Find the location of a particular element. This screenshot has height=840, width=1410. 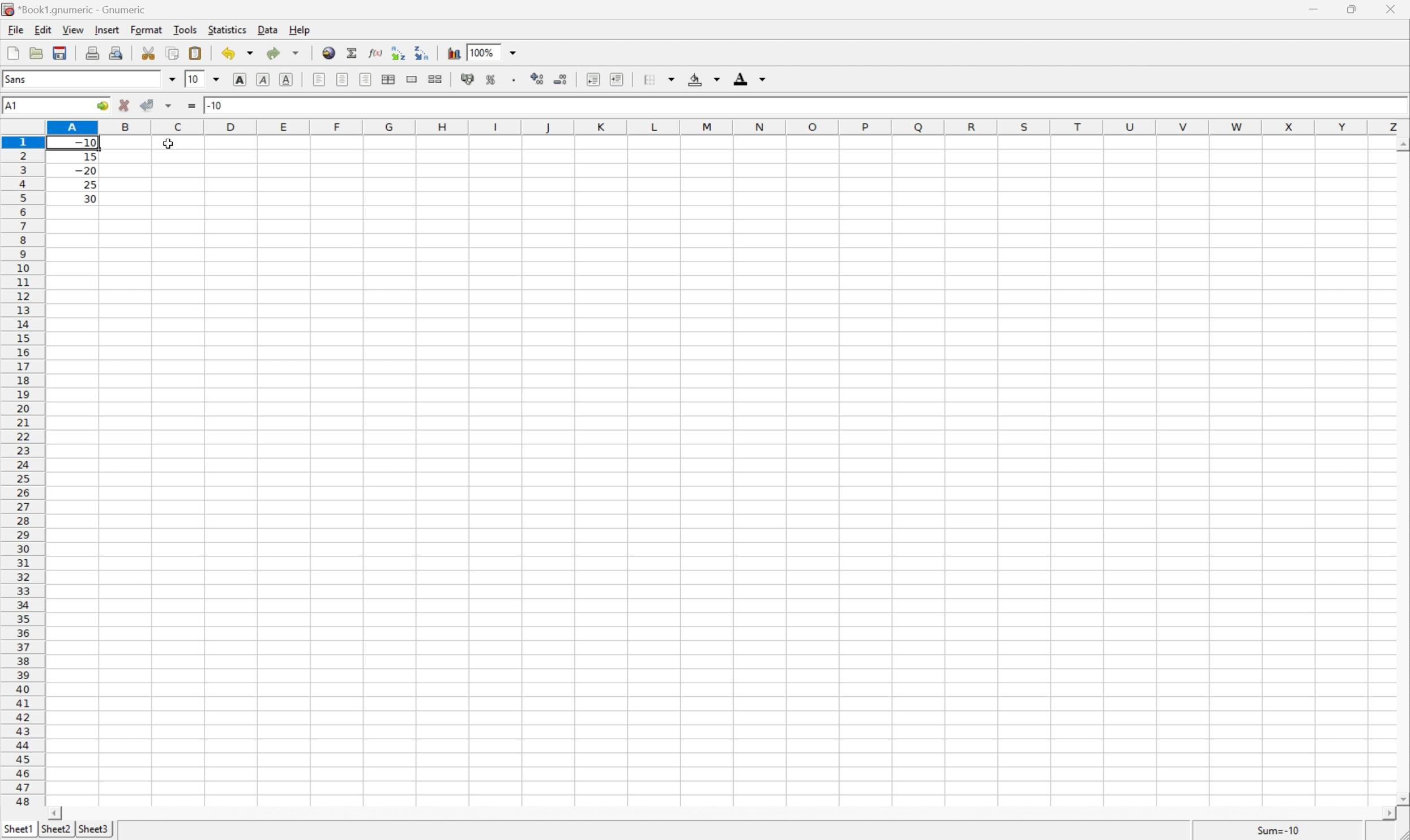

Accept change in multiple cells is located at coordinates (171, 106).